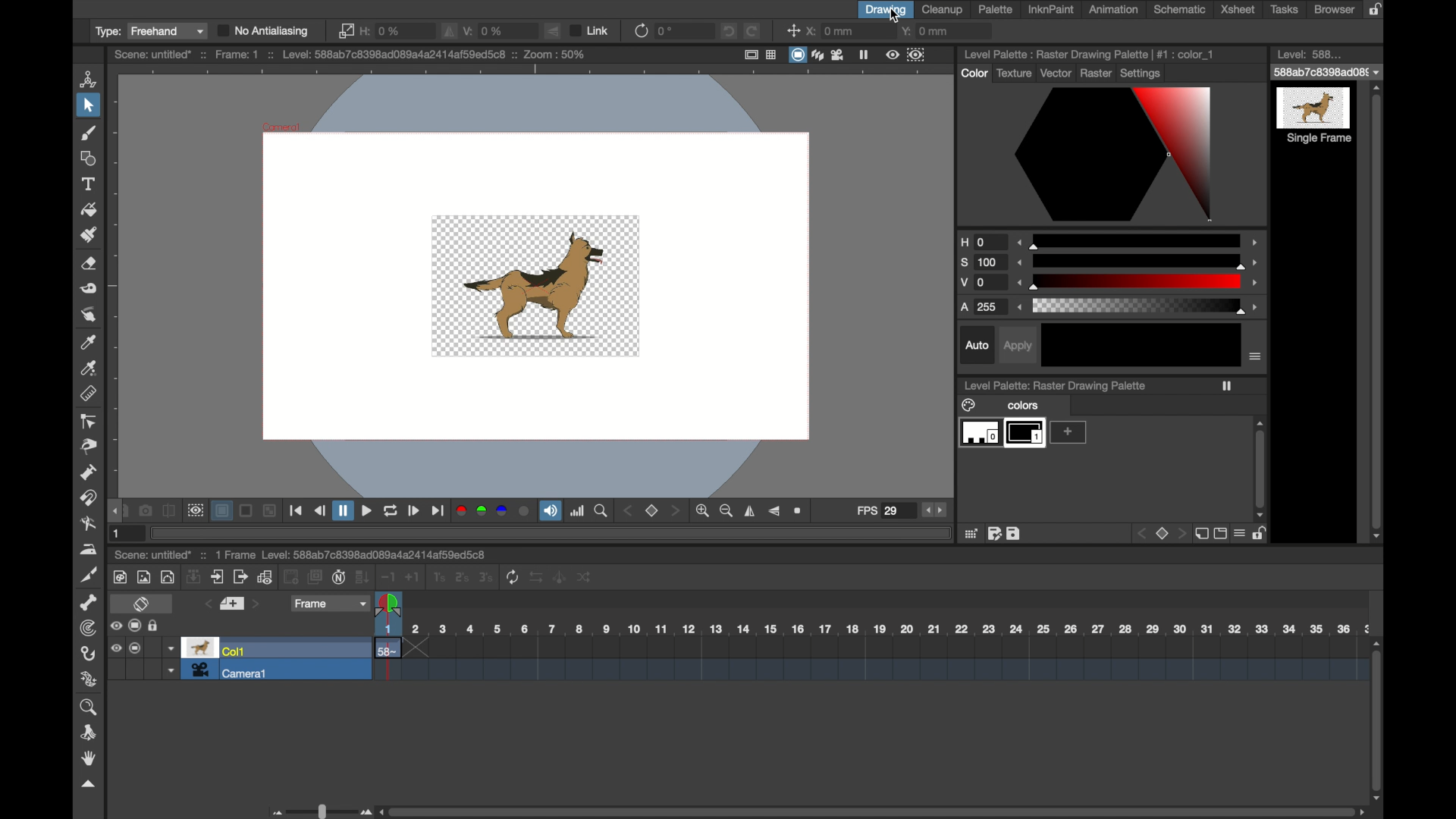 Image resolution: width=1456 pixels, height=819 pixels. Describe the element at coordinates (150, 32) in the screenshot. I see `type` at that location.